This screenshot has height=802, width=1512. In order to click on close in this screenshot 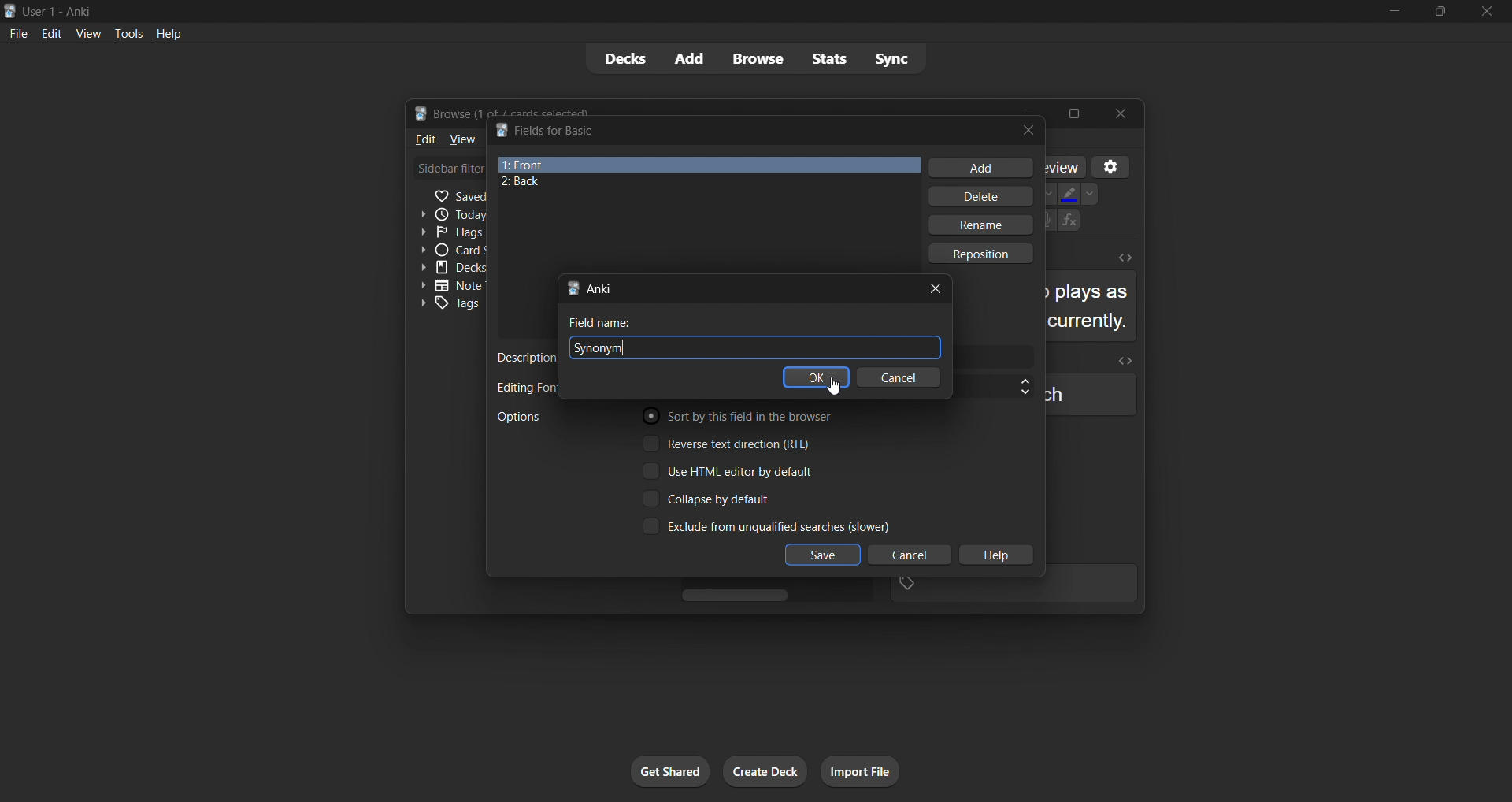, I will do `click(1484, 12)`.